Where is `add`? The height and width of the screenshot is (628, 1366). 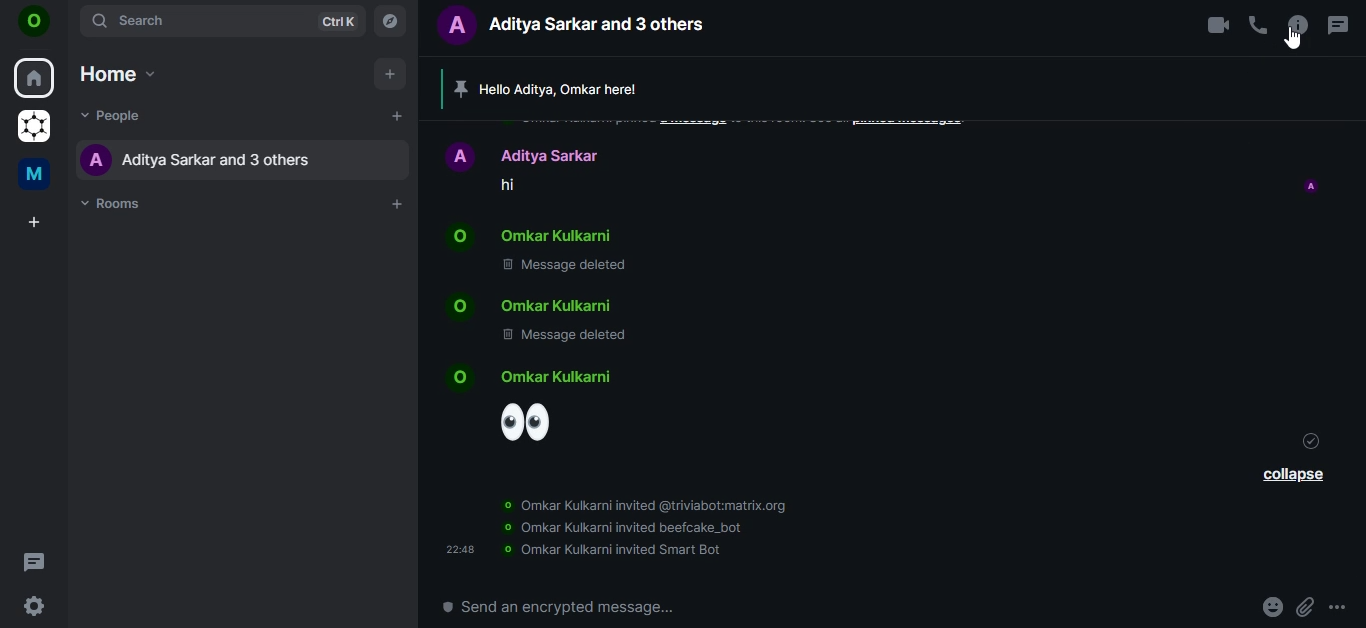
add is located at coordinates (389, 76).